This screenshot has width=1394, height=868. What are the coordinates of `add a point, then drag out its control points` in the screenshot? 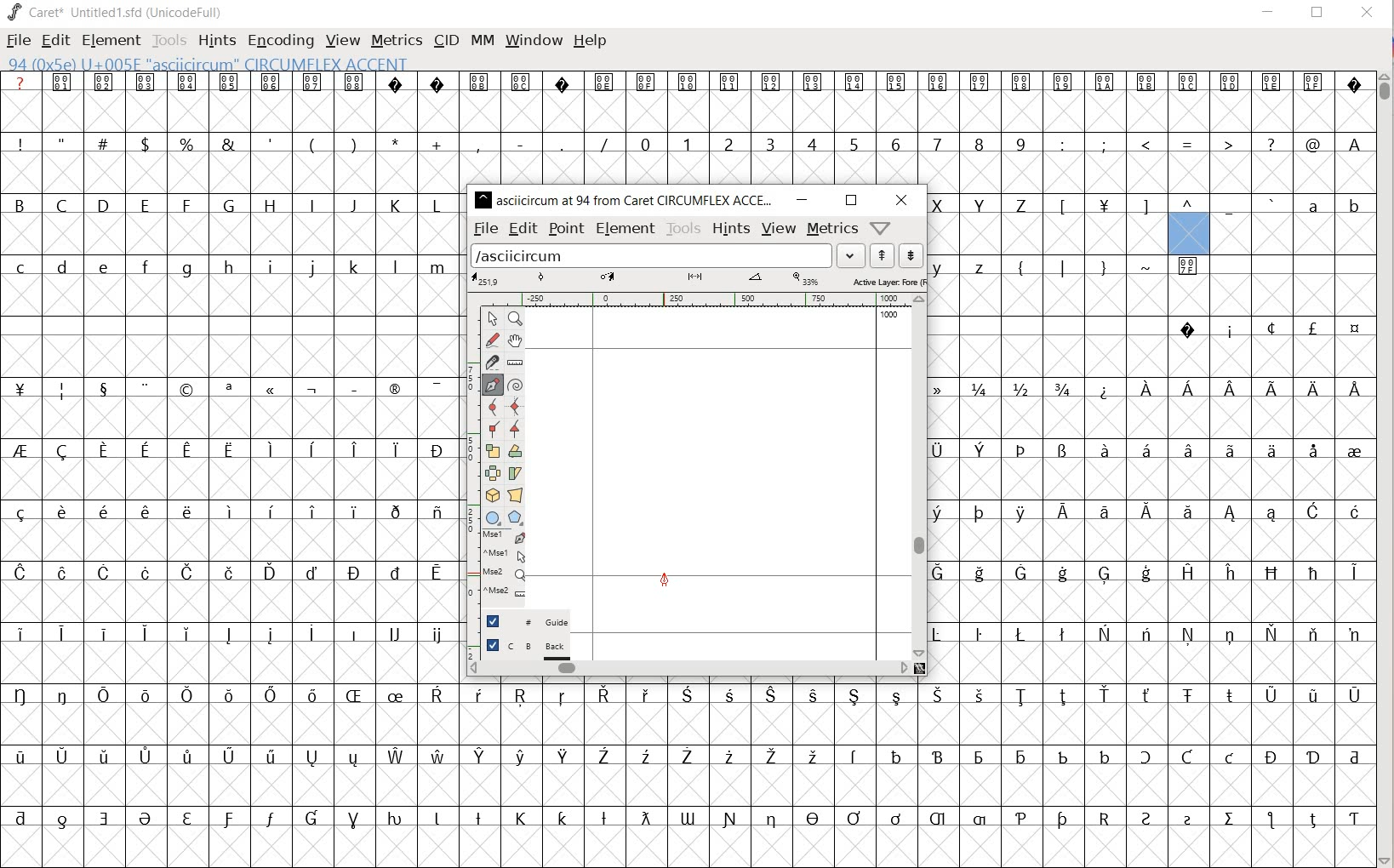 It's located at (491, 384).